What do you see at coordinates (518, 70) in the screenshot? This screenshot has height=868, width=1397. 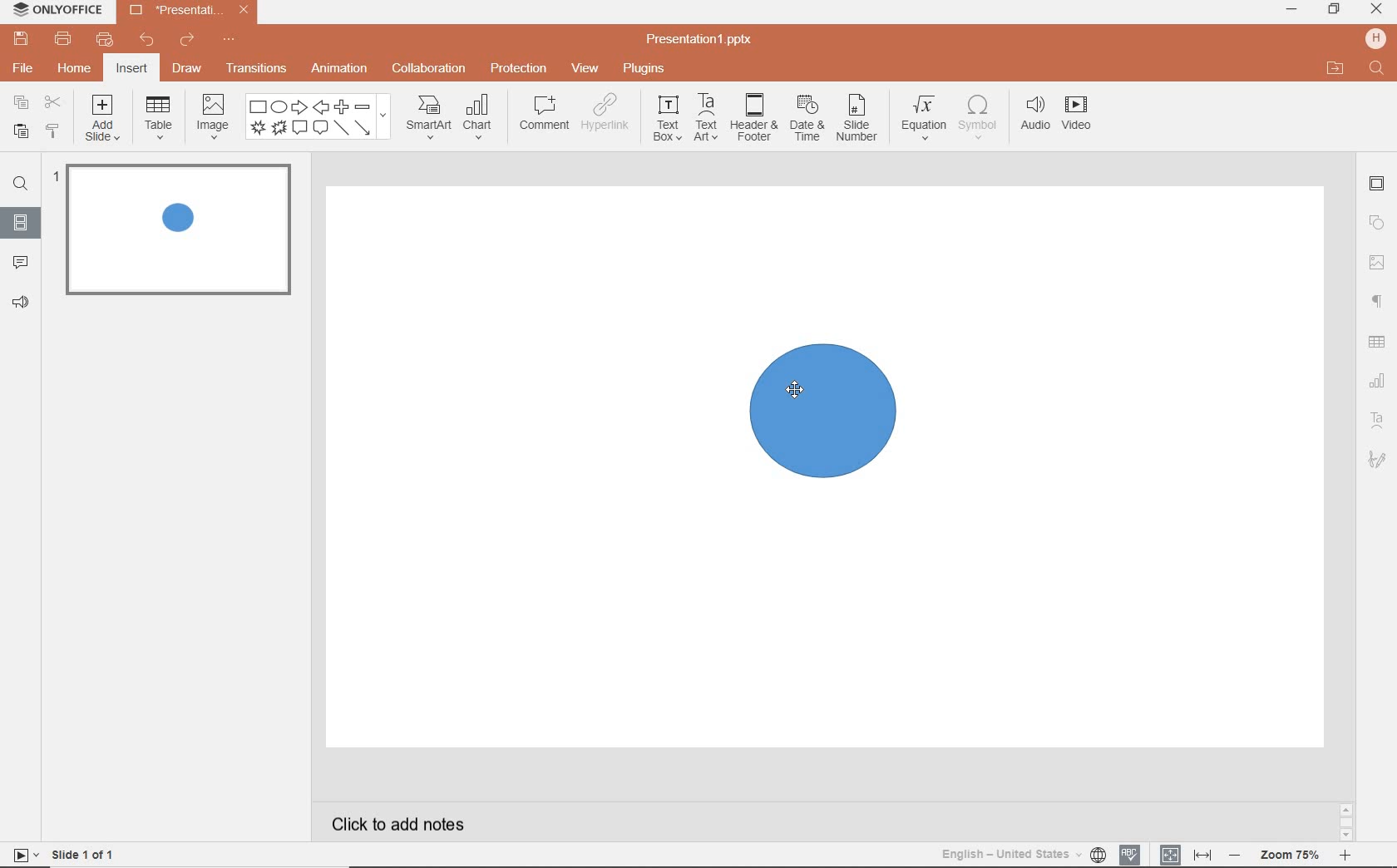 I see `protection` at bounding box center [518, 70].